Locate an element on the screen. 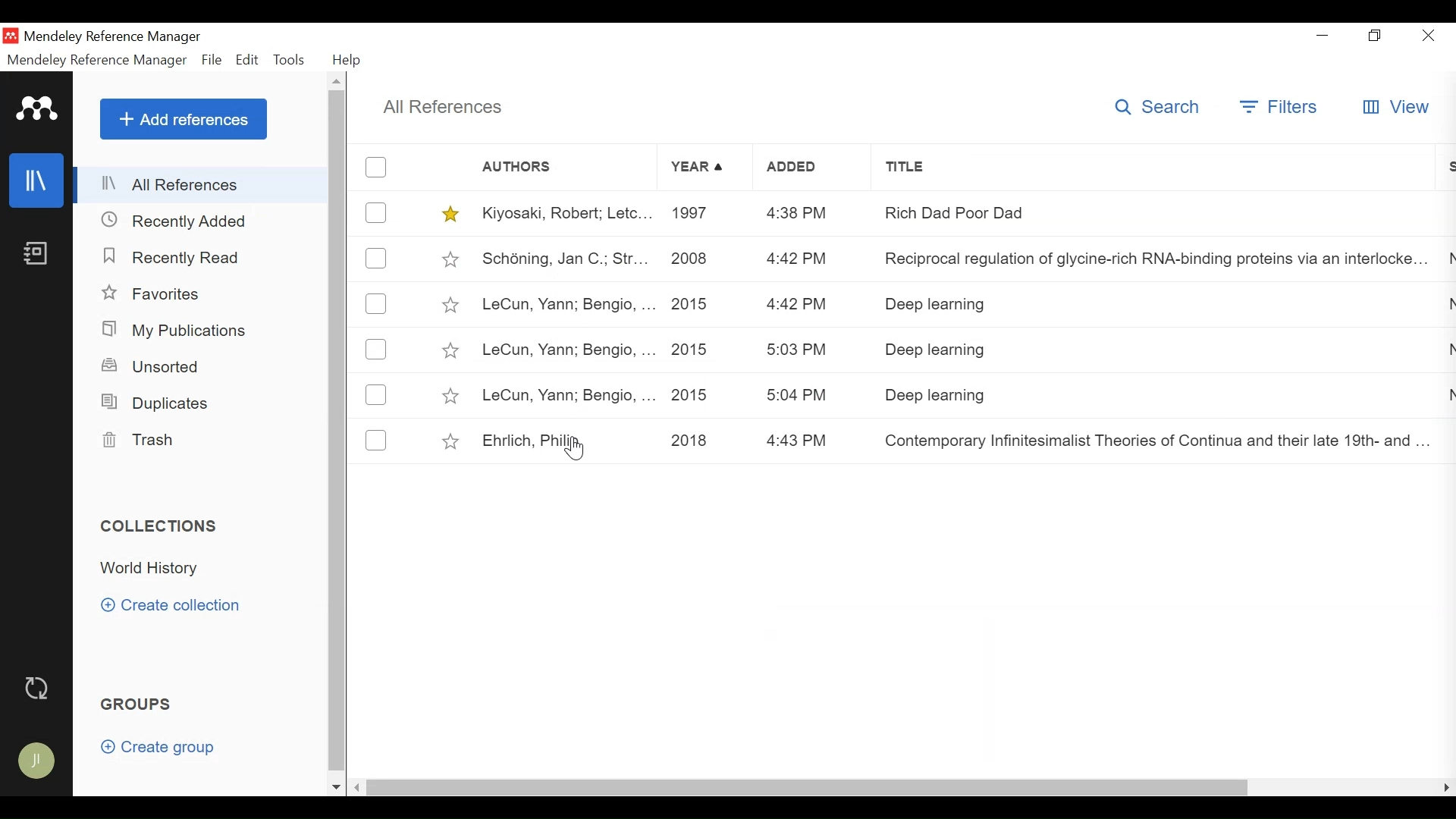  Groups is located at coordinates (134, 704).